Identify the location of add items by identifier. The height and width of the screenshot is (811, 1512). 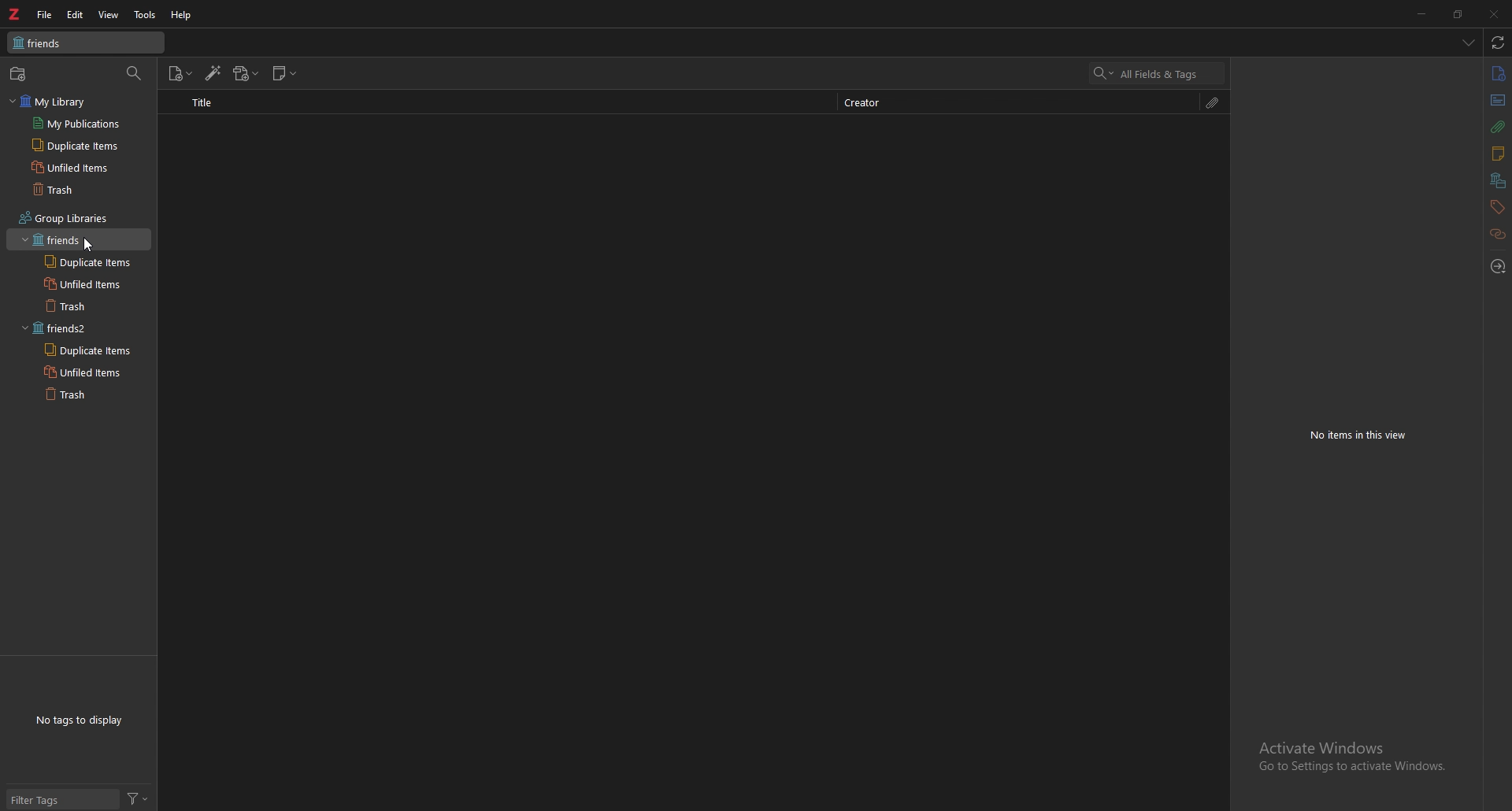
(214, 74).